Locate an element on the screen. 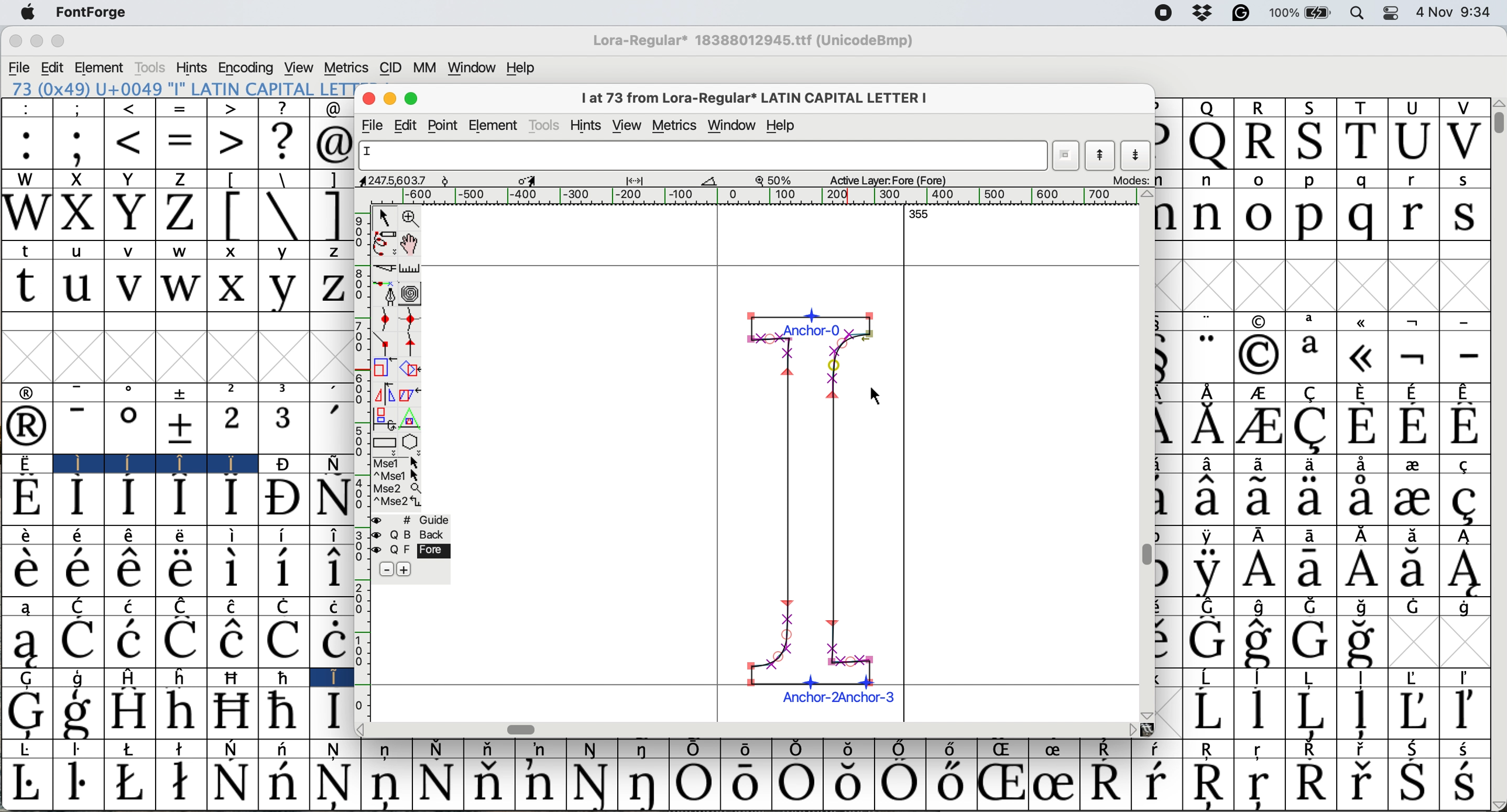 This screenshot has width=1507, height=812. Y is located at coordinates (129, 180).